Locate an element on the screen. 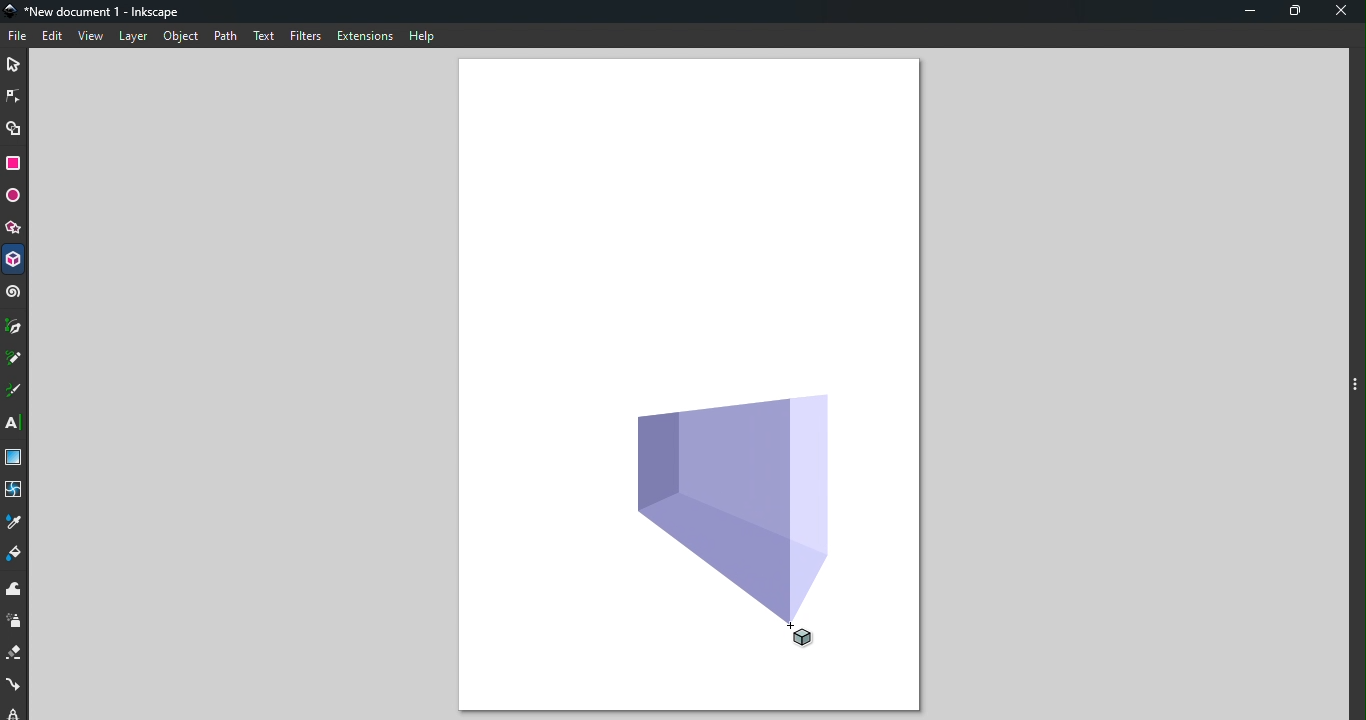 This screenshot has height=720, width=1366. Connector tool is located at coordinates (15, 685).